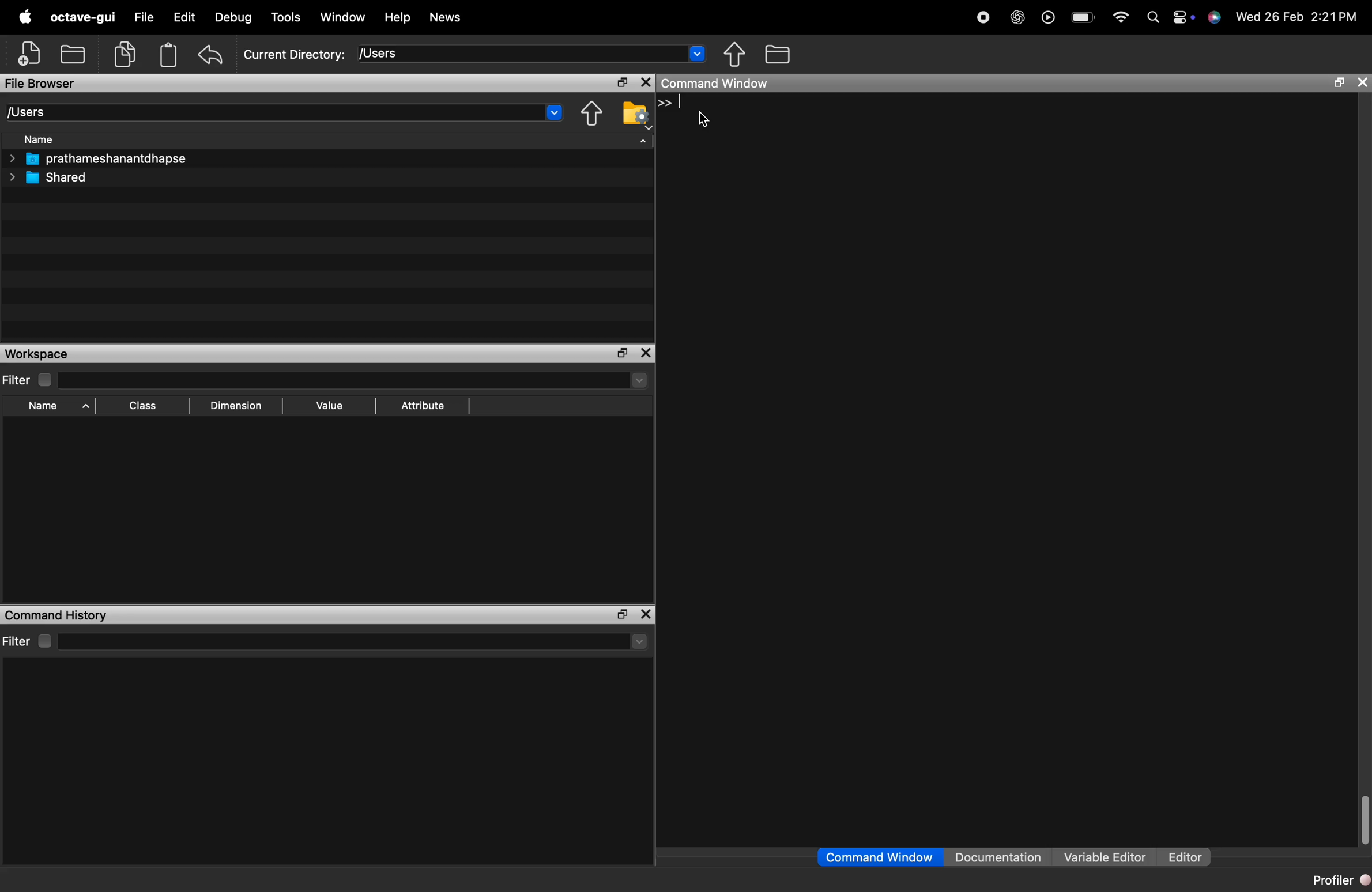  What do you see at coordinates (1186, 16) in the screenshot?
I see `settings` at bounding box center [1186, 16].